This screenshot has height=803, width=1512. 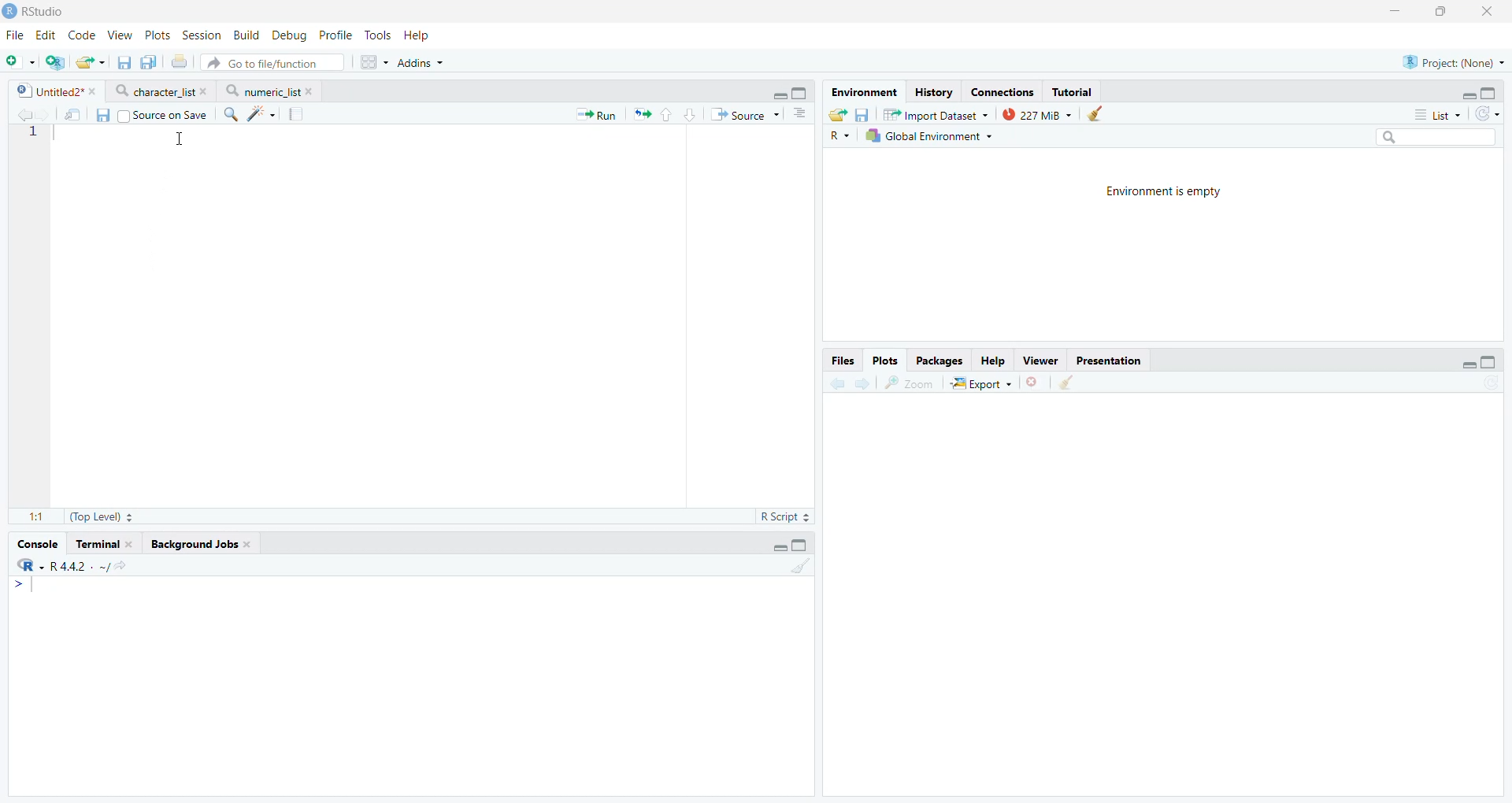 What do you see at coordinates (43, 116) in the screenshot?
I see `Go to next source location` at bounding box center [43, 116].